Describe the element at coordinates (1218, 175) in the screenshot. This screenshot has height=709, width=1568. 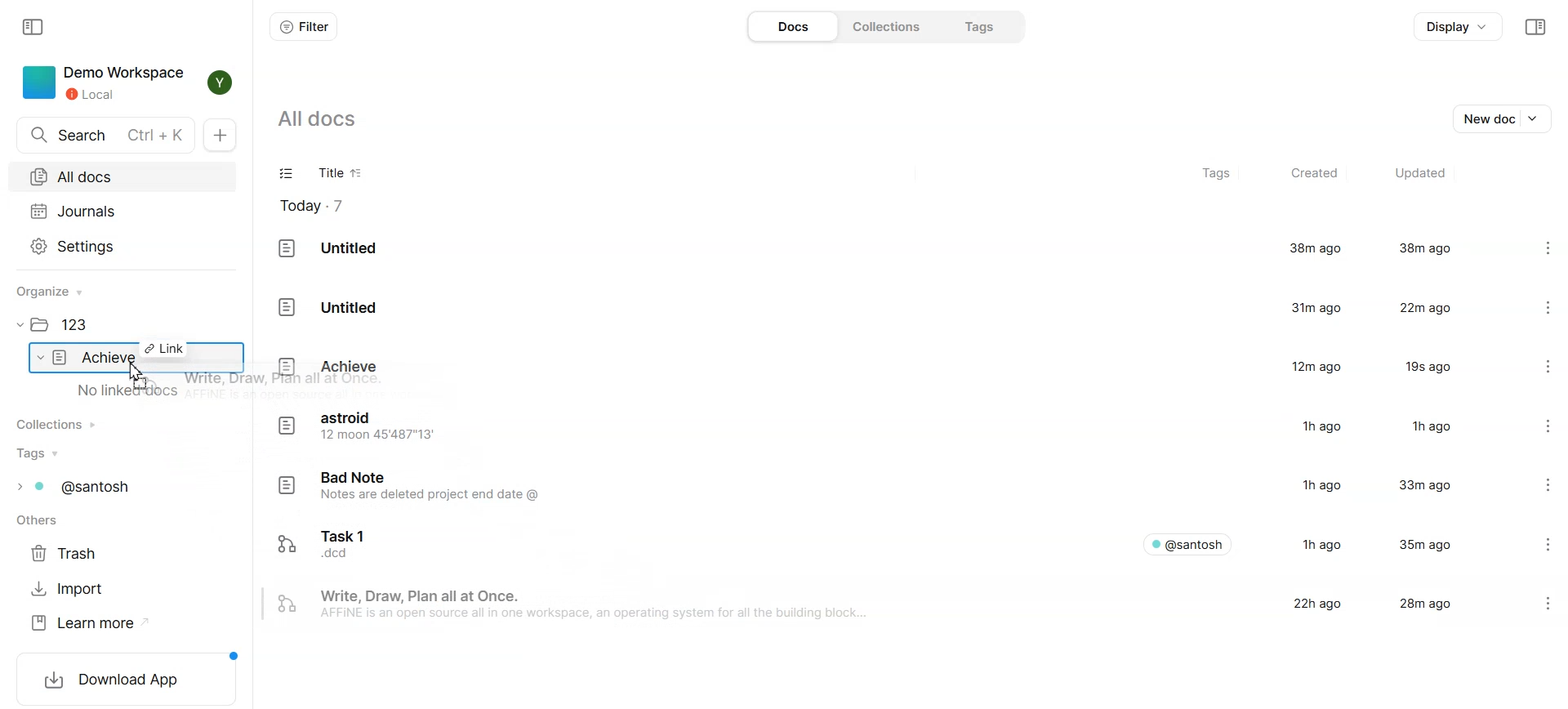
I see `Tags` at that location.